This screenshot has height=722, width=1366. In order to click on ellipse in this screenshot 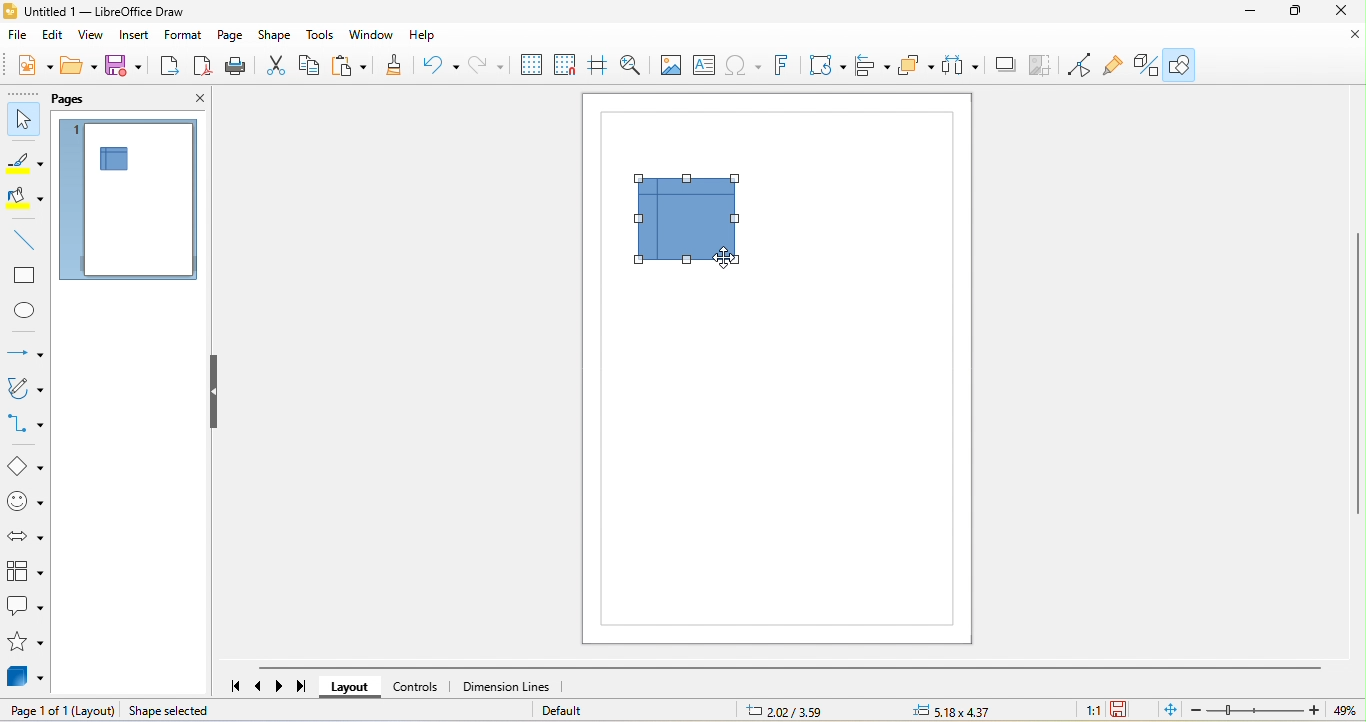, I will do `click(23, 310)`.